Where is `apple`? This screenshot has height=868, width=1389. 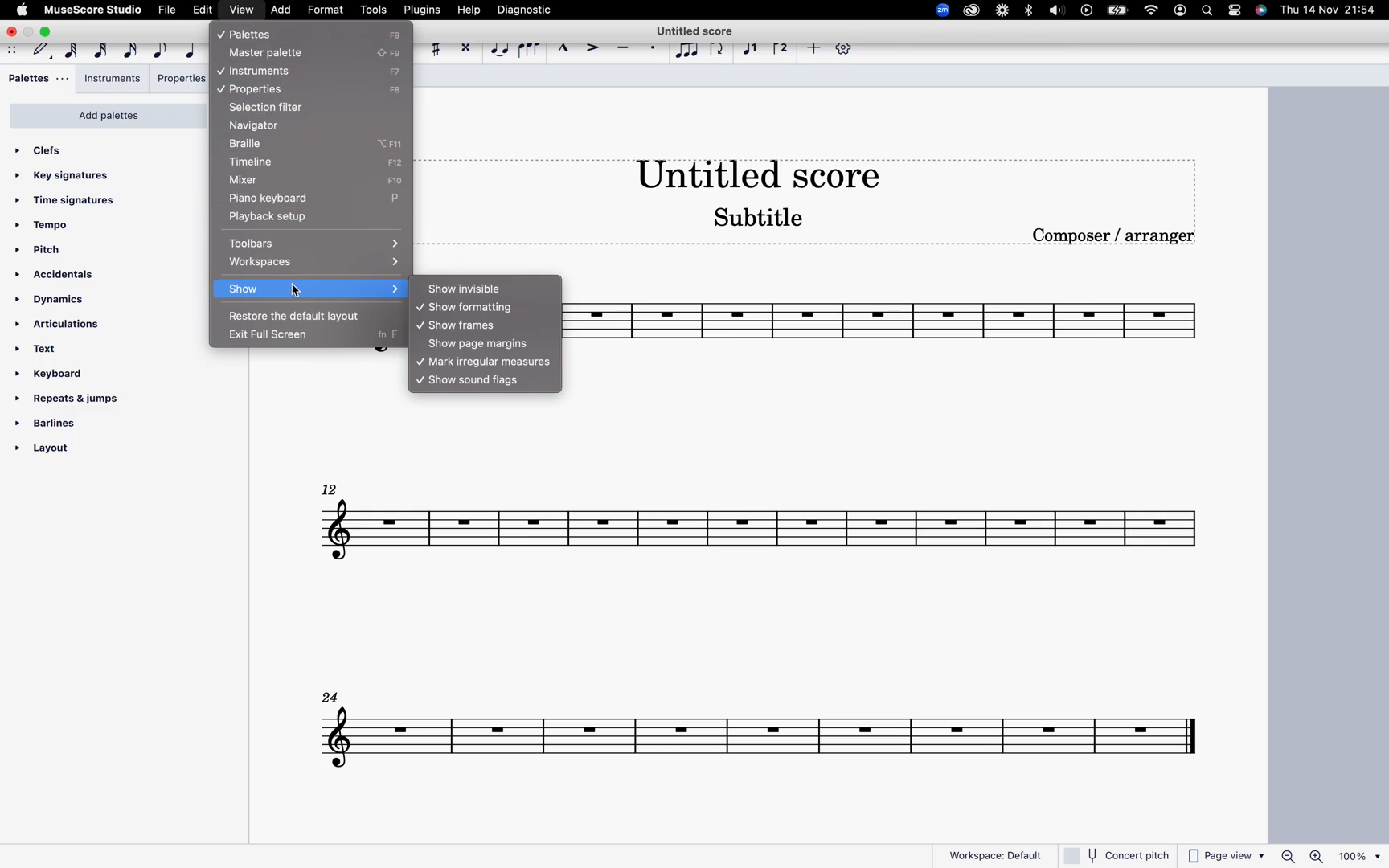
apple is located at coordinates (22, 10).